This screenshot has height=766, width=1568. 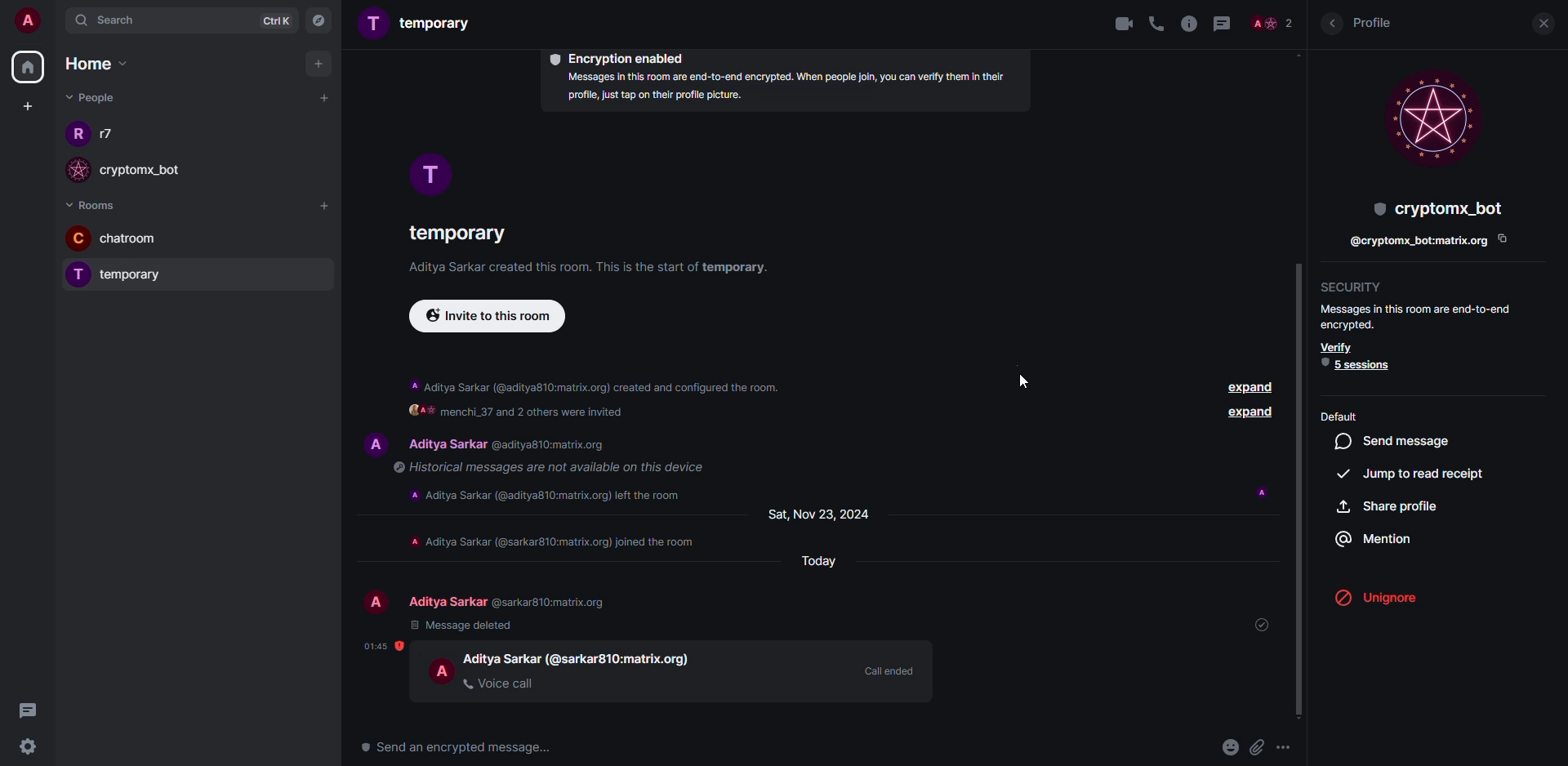 What do you see at coordinates (32, 747) in the screenshot?
I see `settings` at bounding box center [32, 747].